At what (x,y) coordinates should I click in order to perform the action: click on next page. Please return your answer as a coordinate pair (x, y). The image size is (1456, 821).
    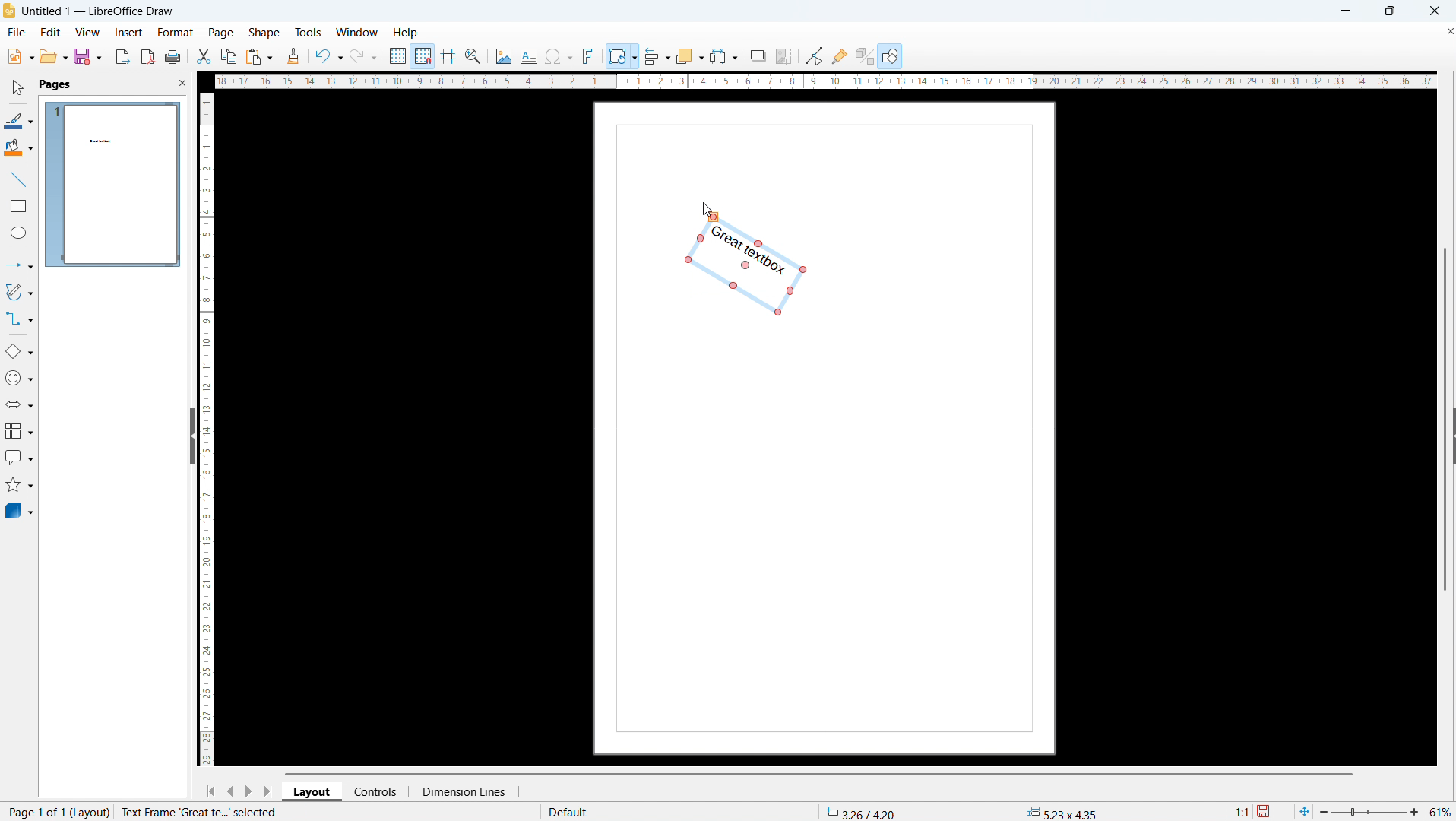
    Looking at the image, I should click on (249, 791).